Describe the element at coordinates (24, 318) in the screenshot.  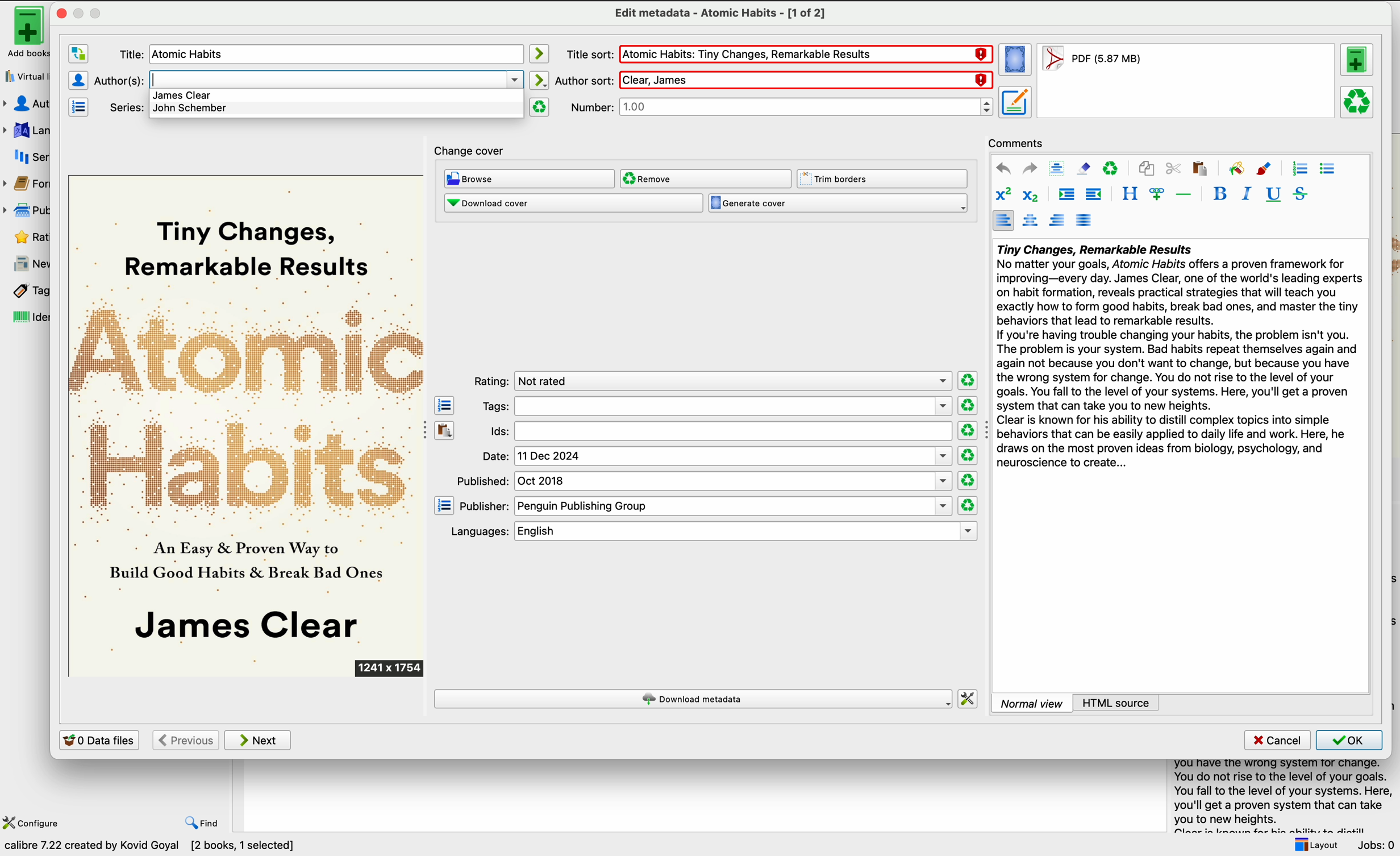
I see `identifiers` at that location.